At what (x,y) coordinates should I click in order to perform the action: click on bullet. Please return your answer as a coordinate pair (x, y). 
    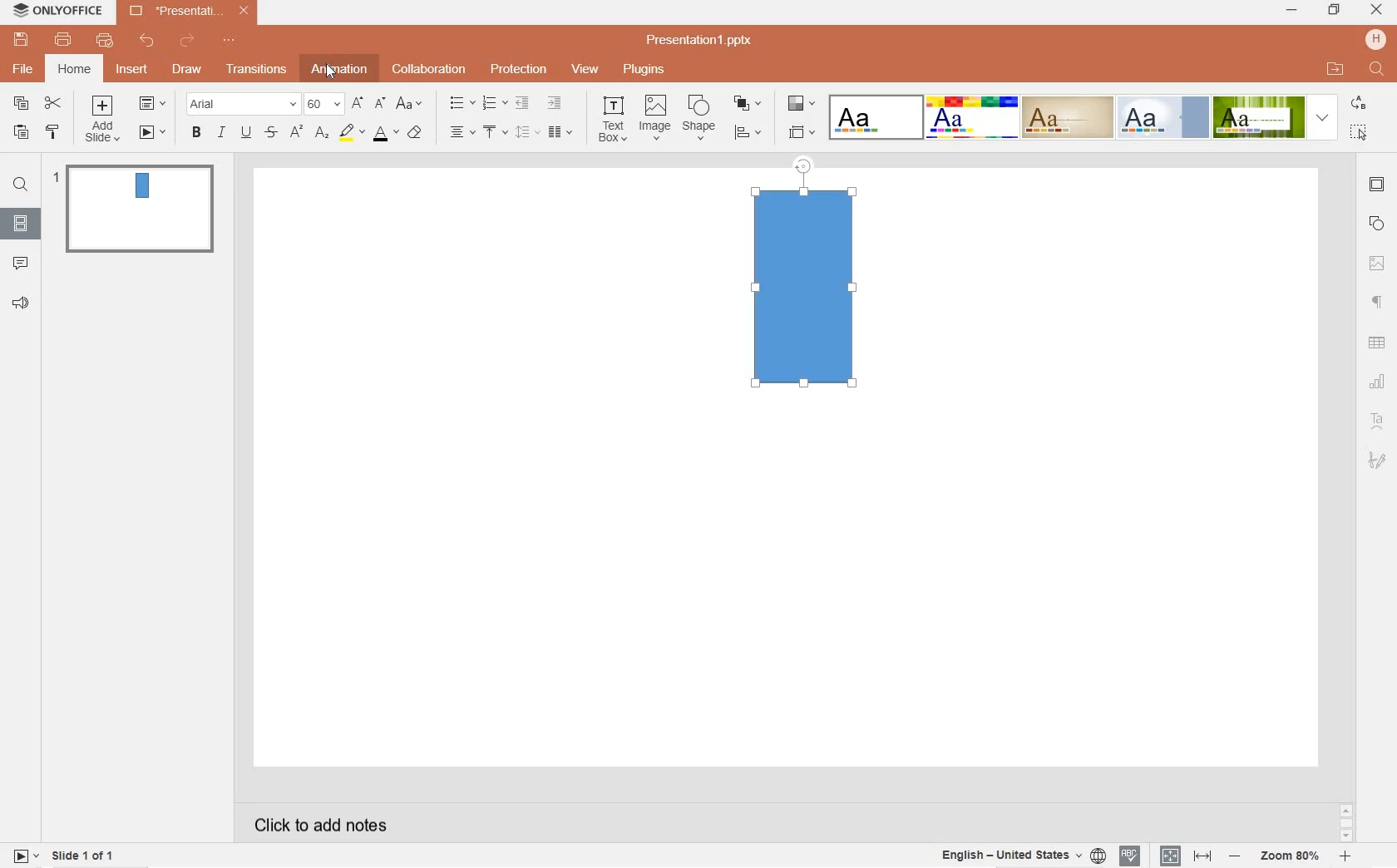
    Looking at the image, I should click on (462, 103).